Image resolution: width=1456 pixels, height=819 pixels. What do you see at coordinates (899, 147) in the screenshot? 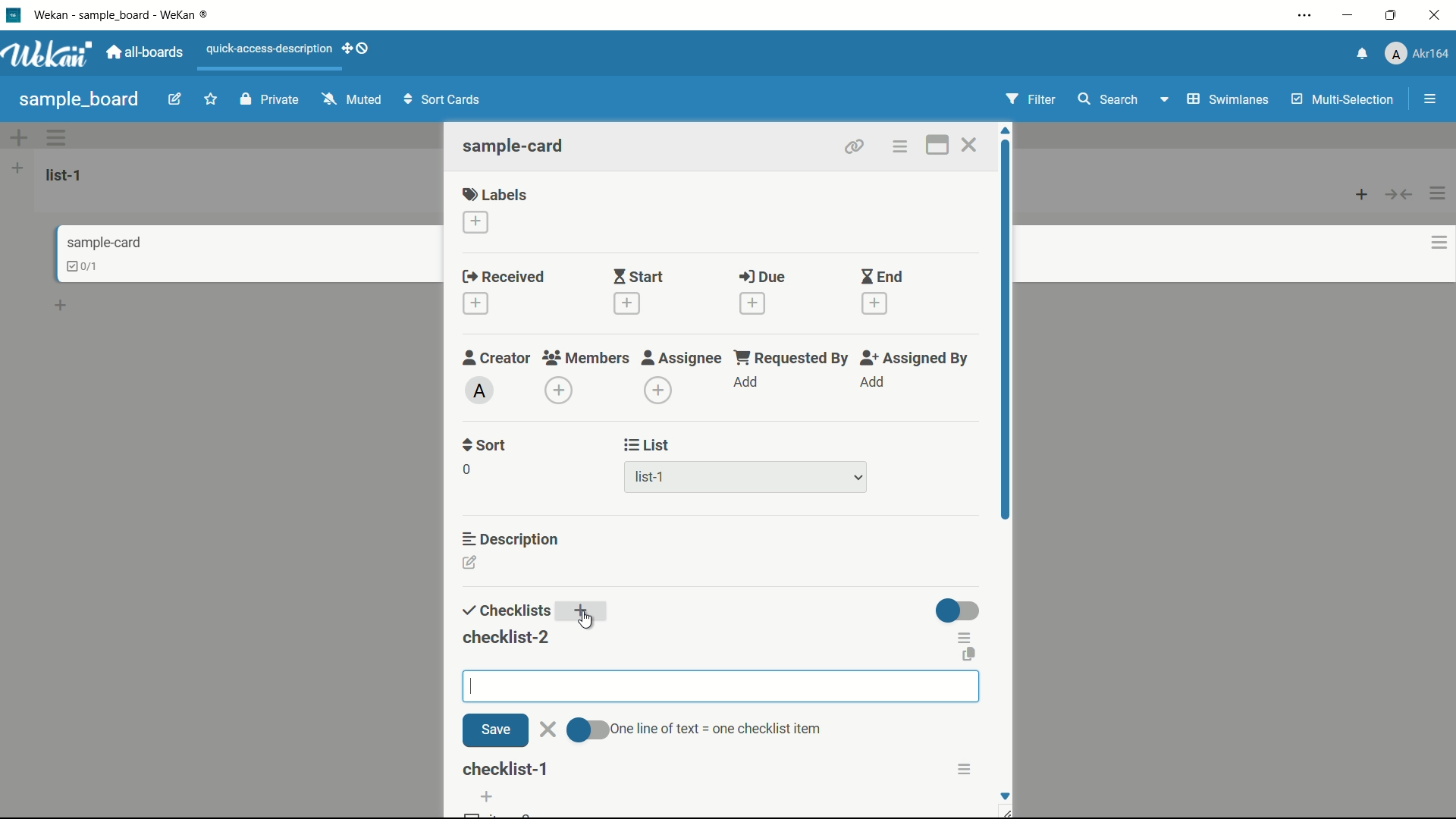
I see `card actions` at bounding box center [899, 147].